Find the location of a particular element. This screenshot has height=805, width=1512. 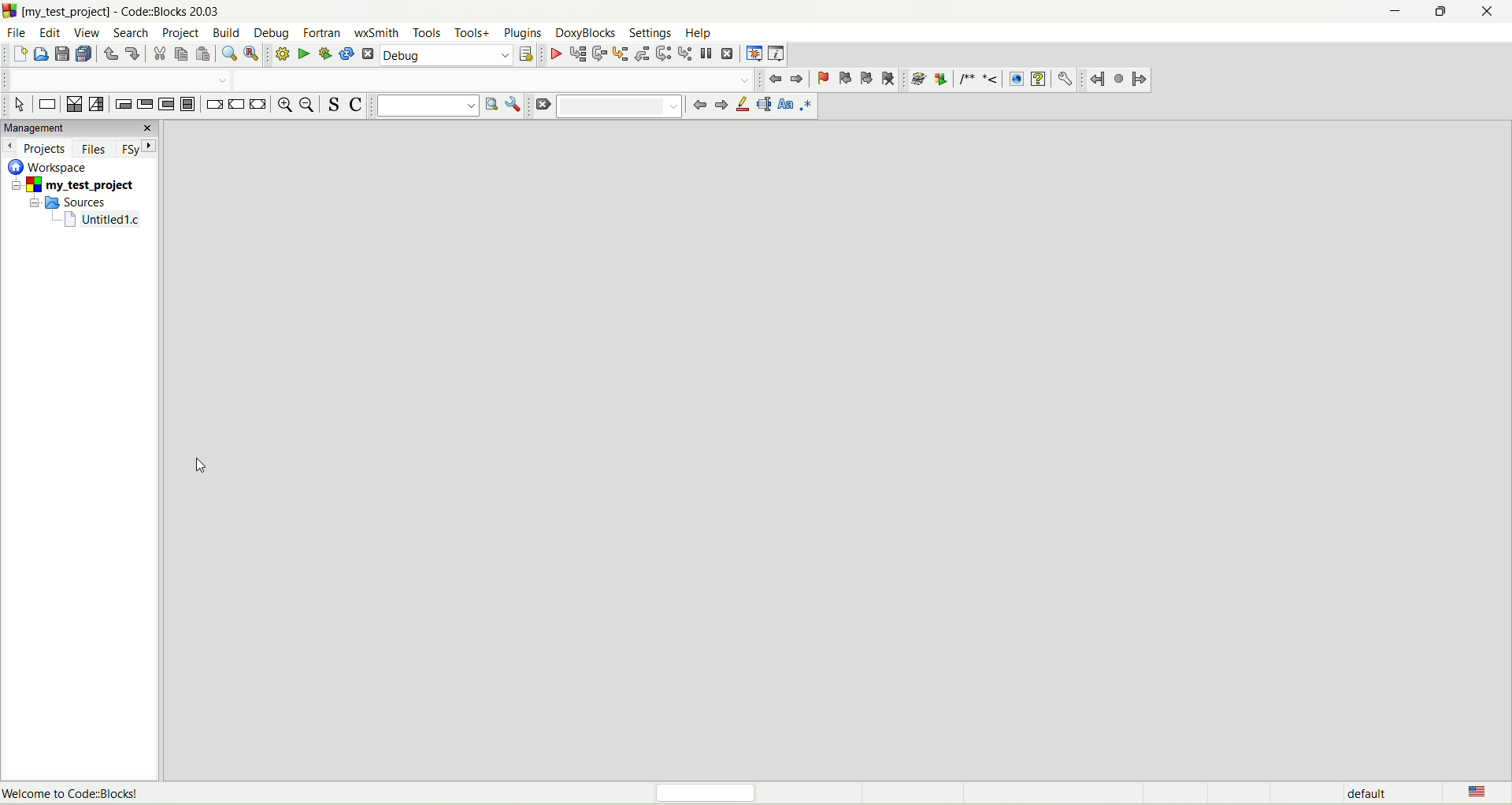

options window is located at coordinates (513, 106).